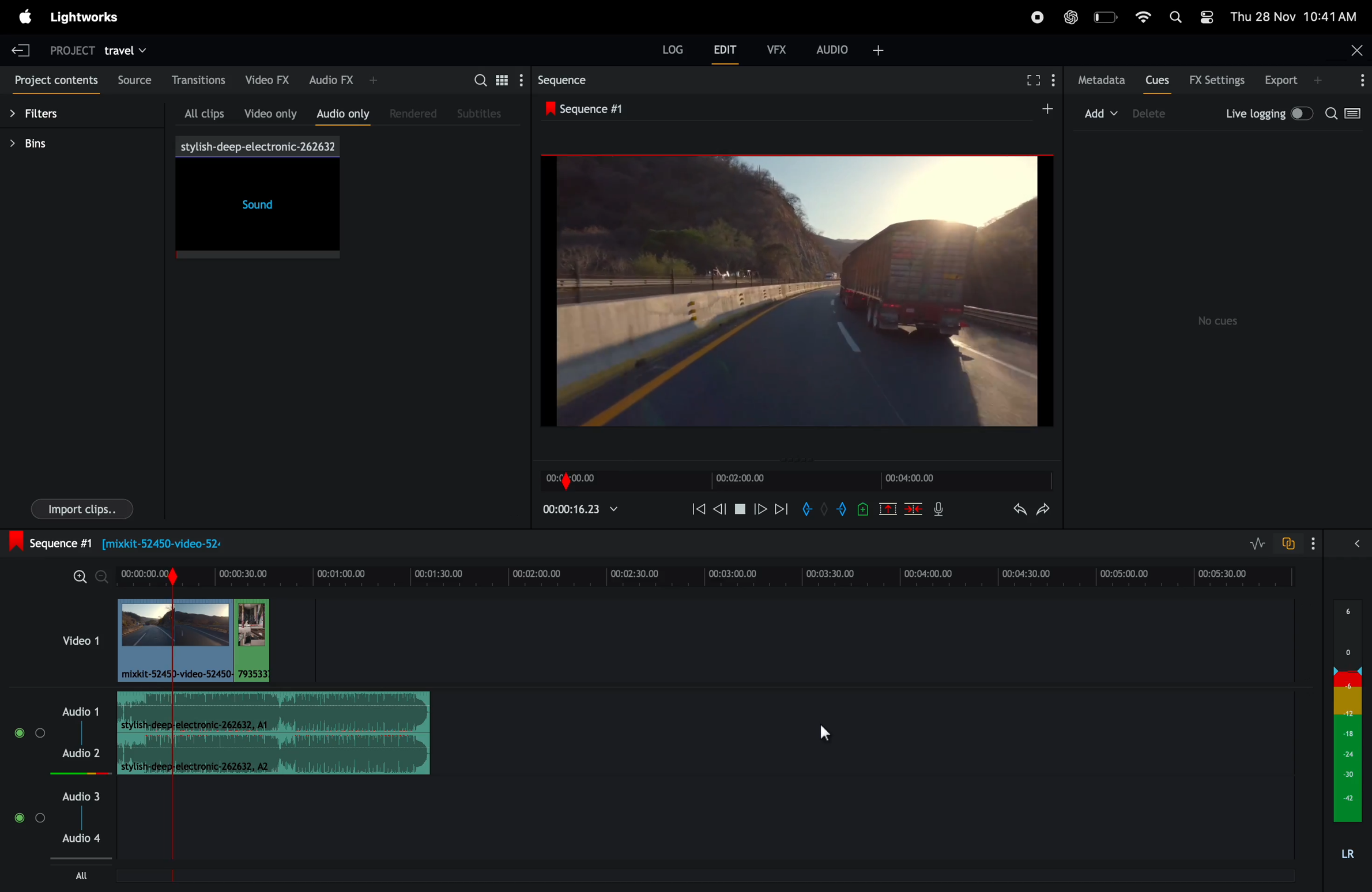  Describe the element at coordinates (254, 210) in the screenshot. I see `sound` at that location.